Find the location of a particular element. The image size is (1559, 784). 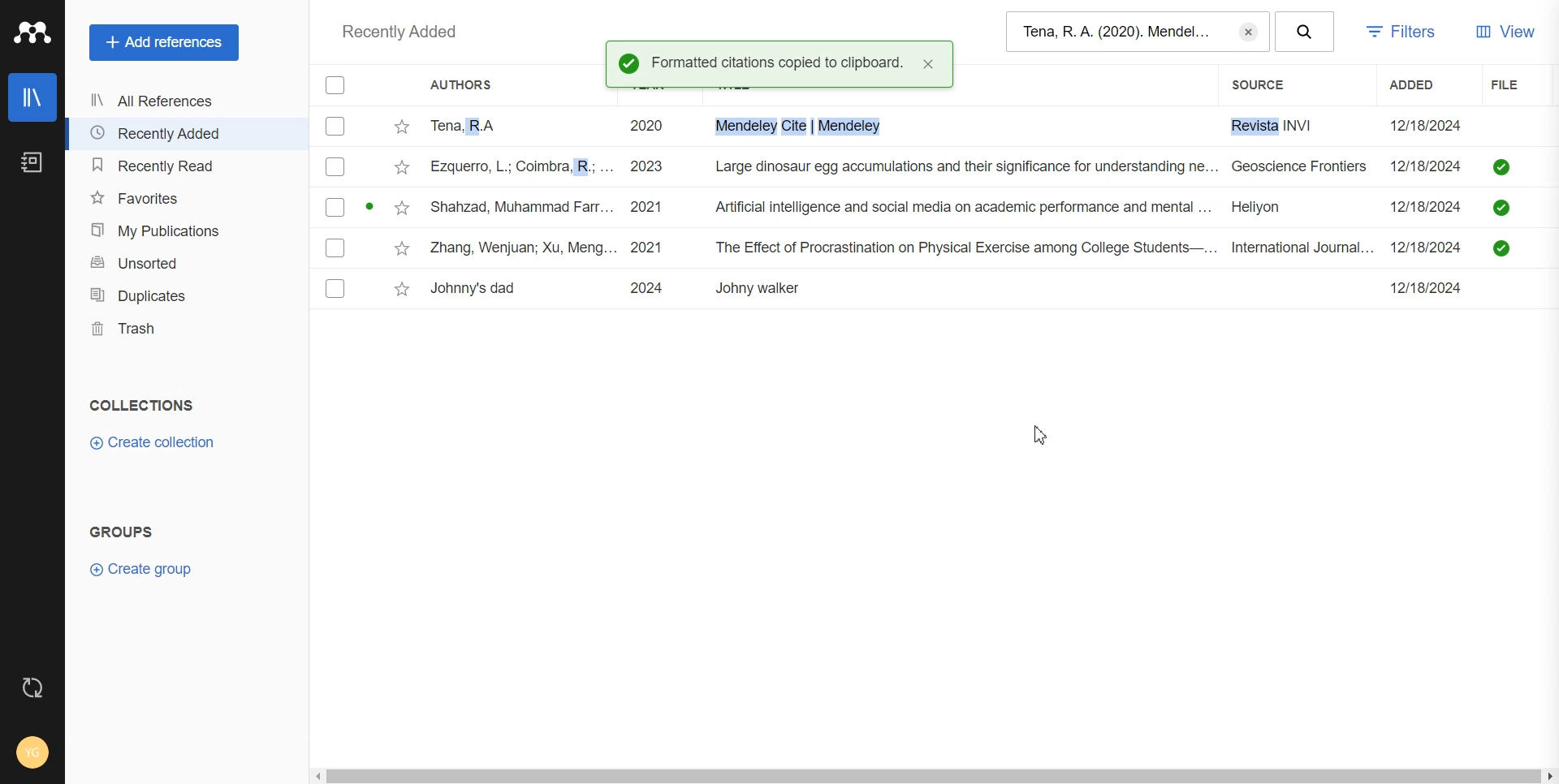

Recently Read is located at coordinates (184, 166).